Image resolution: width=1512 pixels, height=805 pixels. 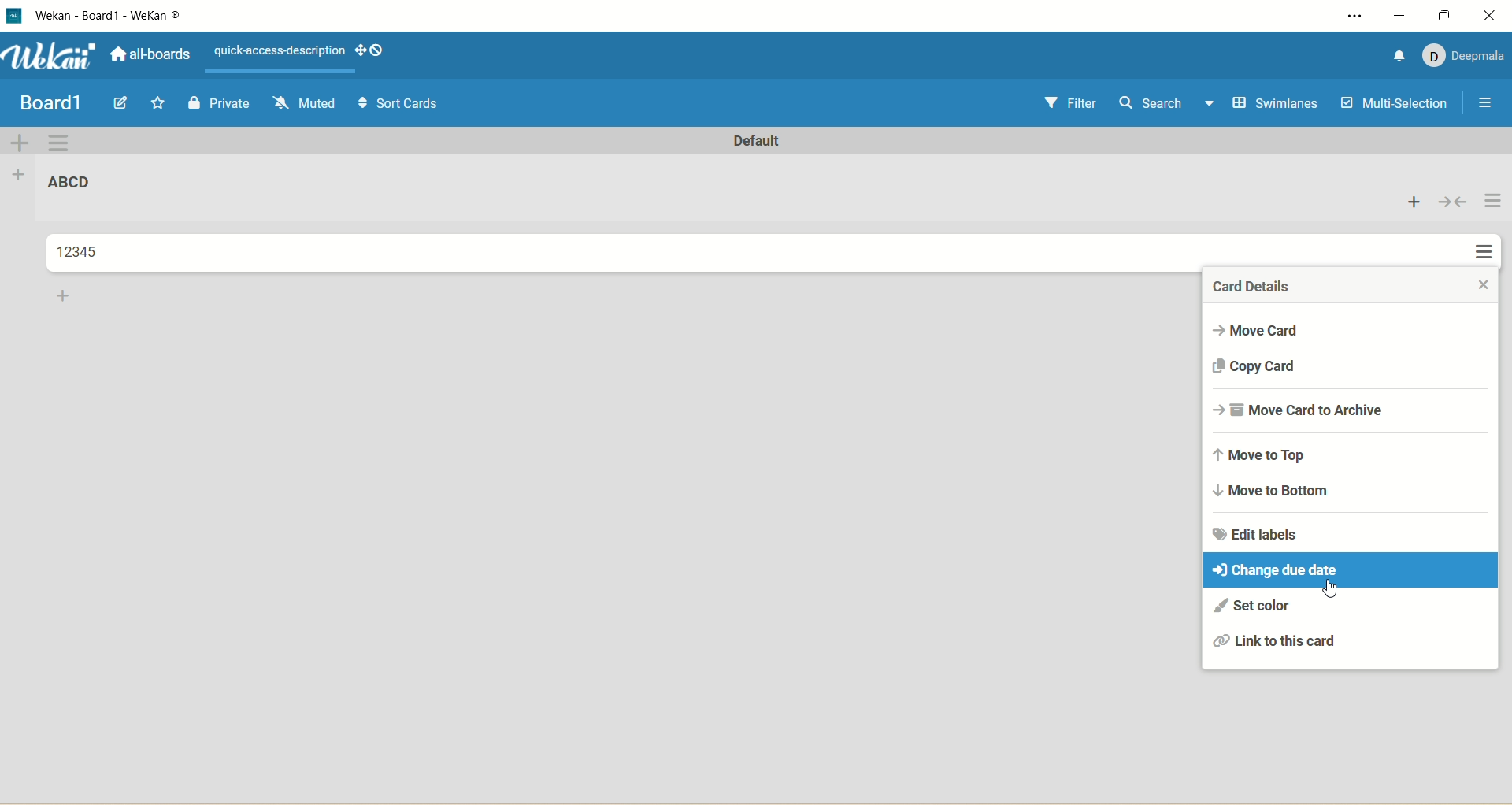 What do you see at coordinates (18, 17) in the screenshot?
I see `logo` at bounding box center [18, 17].